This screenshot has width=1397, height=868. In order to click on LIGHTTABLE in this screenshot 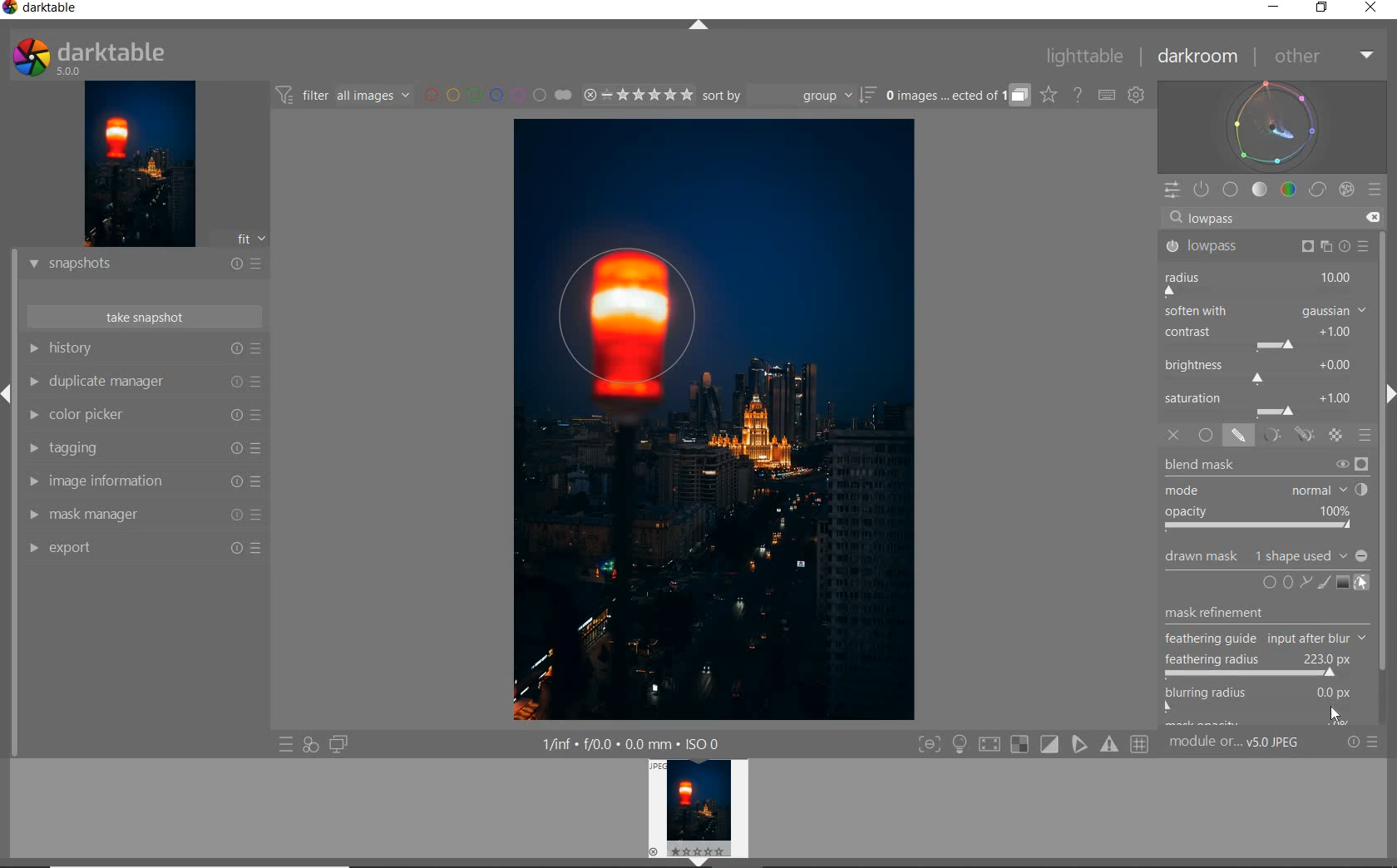, I will do `click(1087, 55)`.